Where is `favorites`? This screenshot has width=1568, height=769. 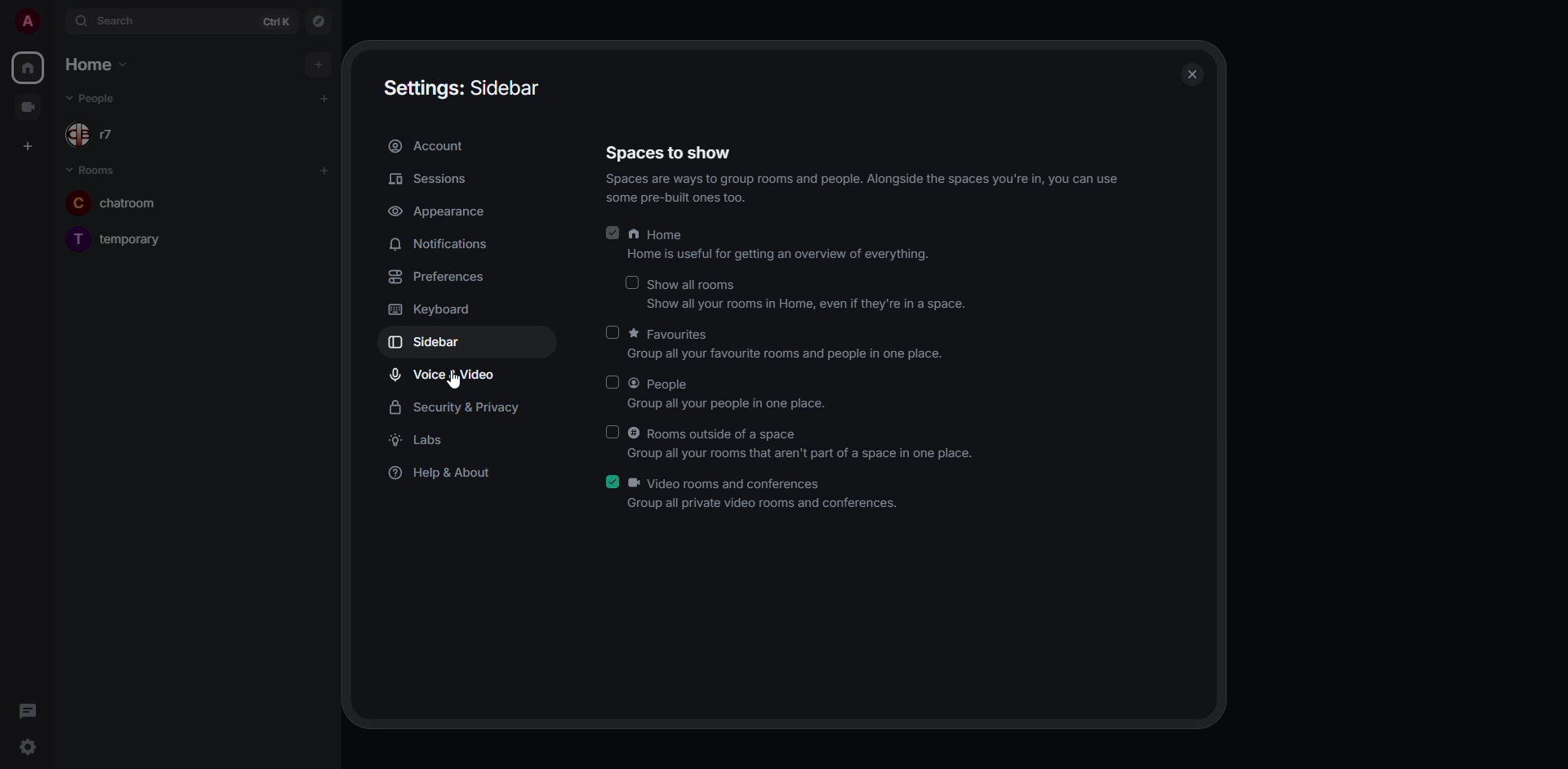
favorites is located at coordinates (791, 334).